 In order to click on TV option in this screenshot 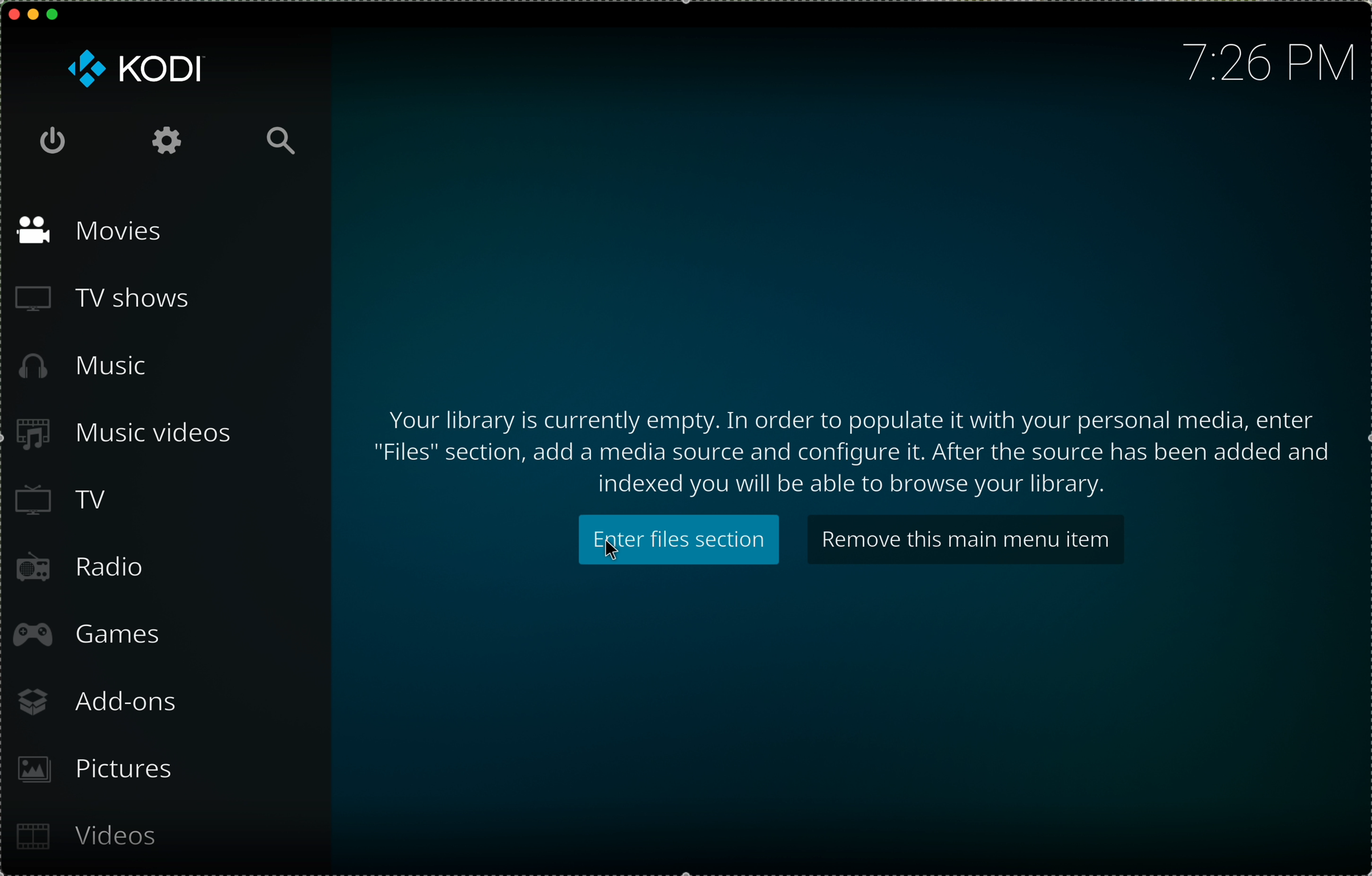, I will do `click(61, 504)`.